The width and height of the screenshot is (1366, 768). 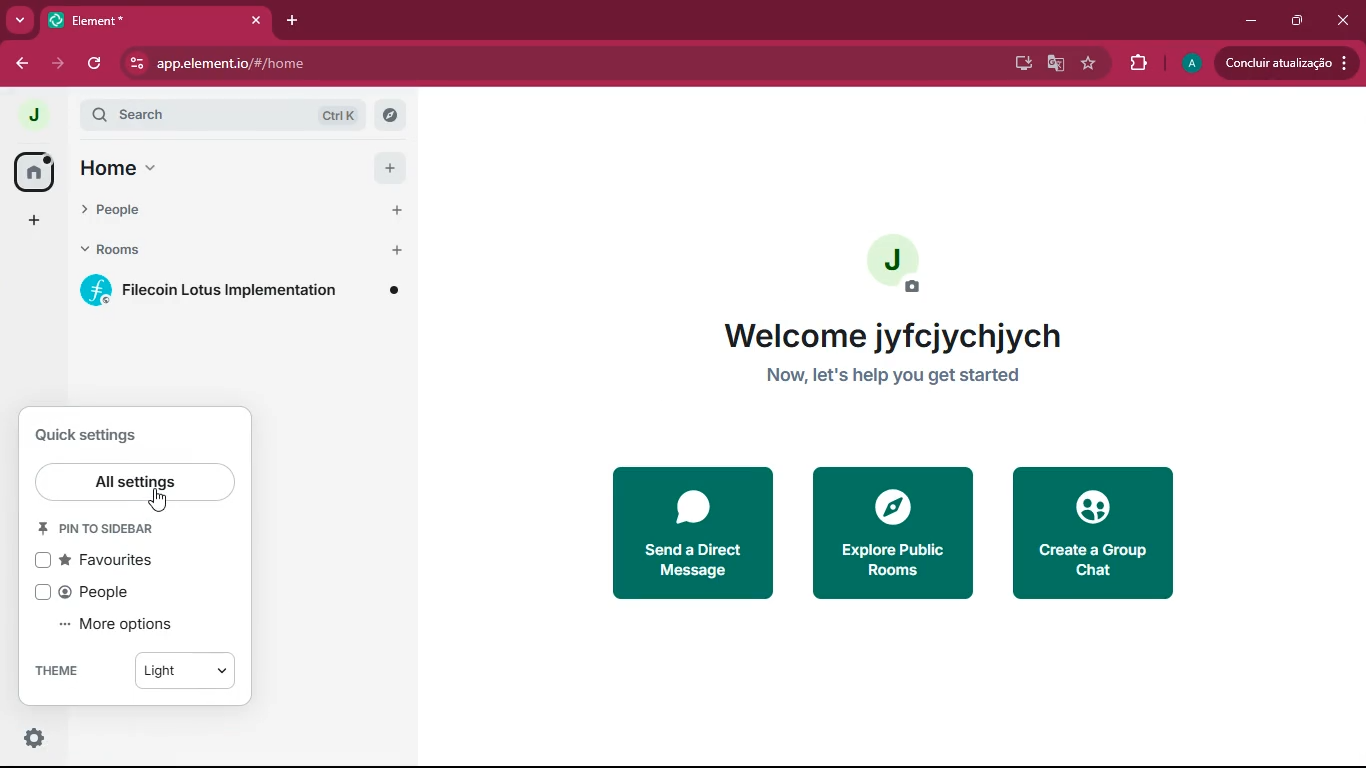 I want to click on profile picture, so click(x=27, y=111).